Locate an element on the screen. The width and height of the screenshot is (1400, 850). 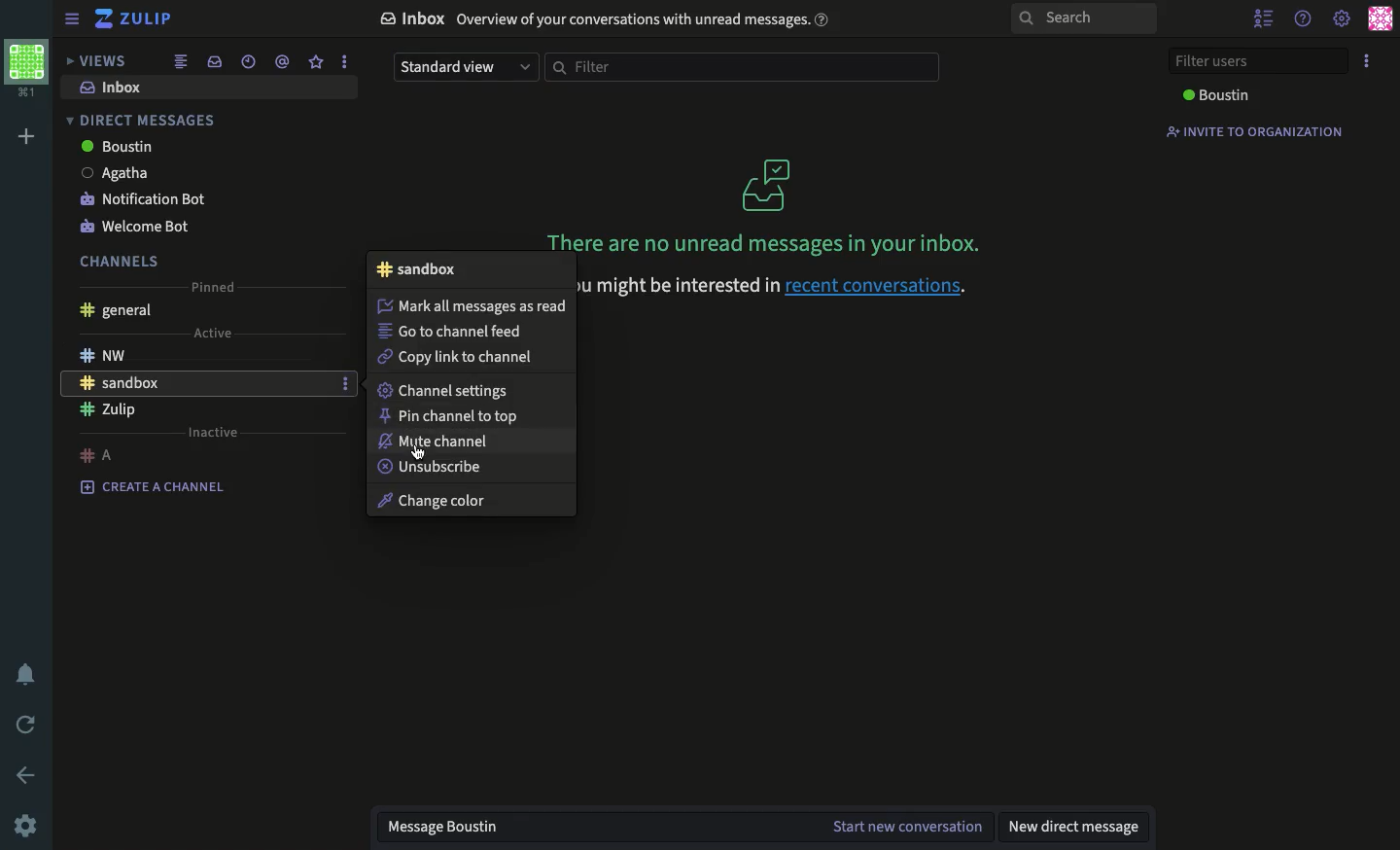
Cursor is located at coordinates (418, 452).